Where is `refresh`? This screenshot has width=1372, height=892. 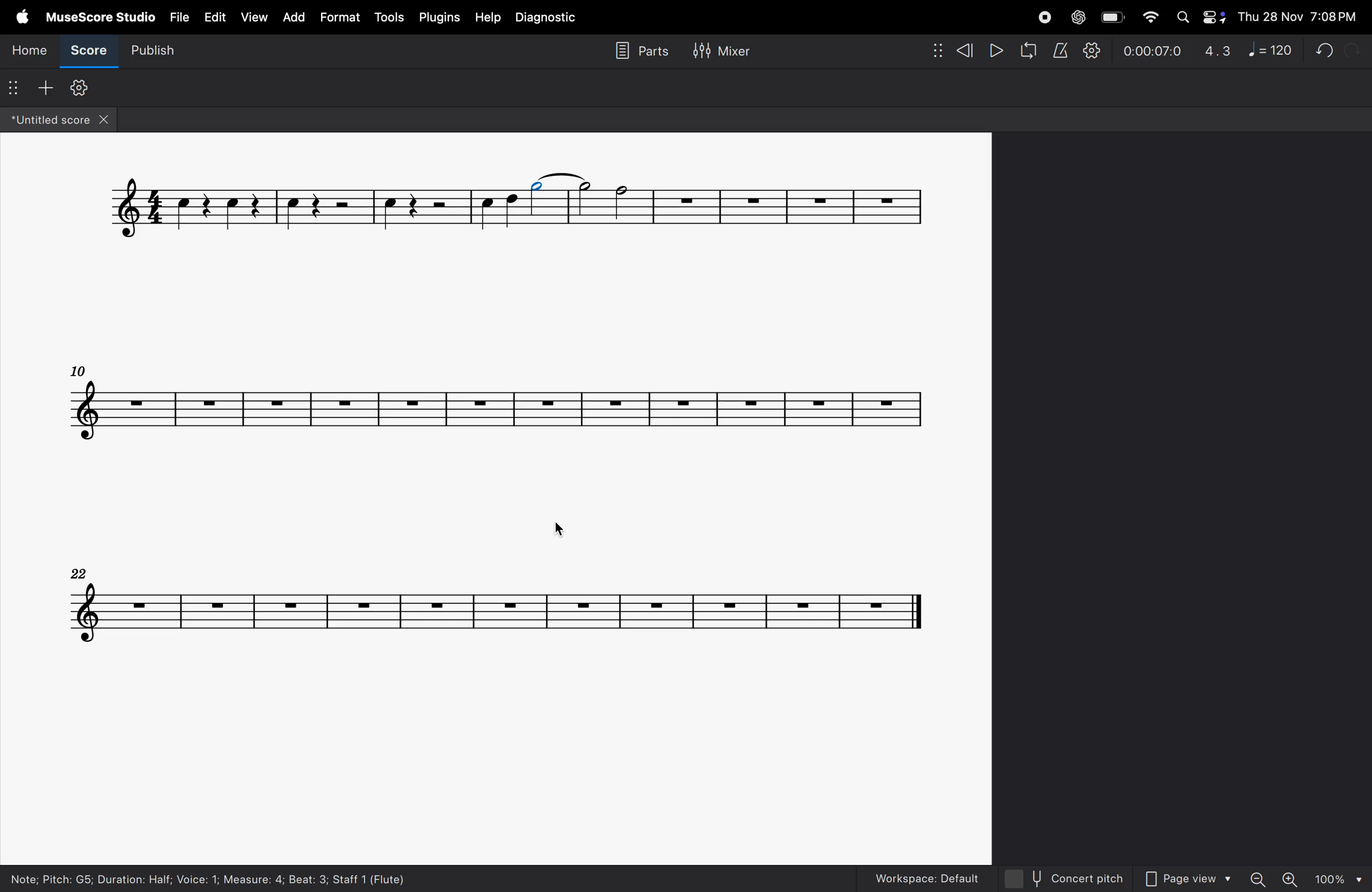 refresh is located at coordinates (1030, 52).